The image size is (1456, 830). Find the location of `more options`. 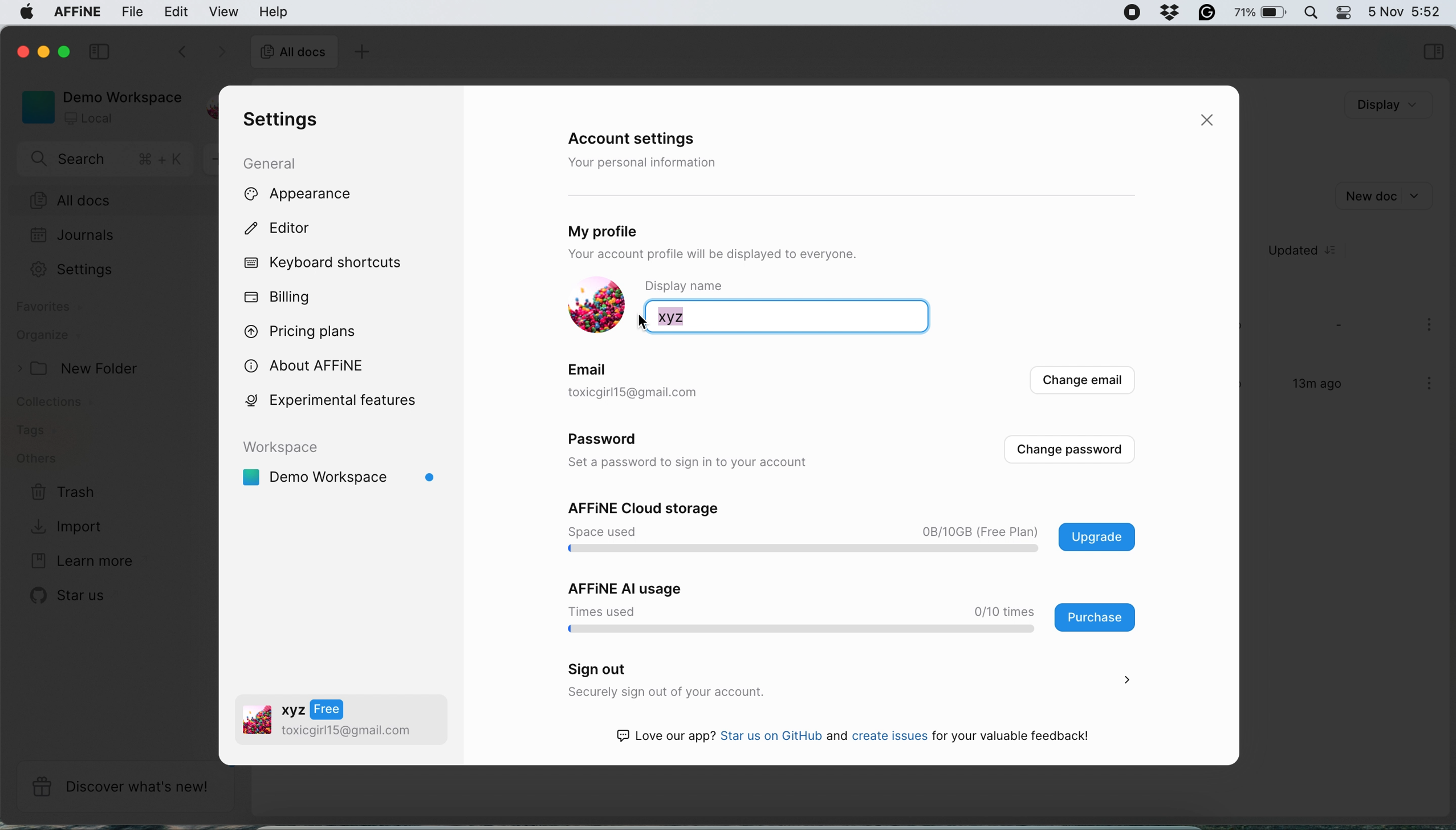

more options is located at coordinates (1431, 385).